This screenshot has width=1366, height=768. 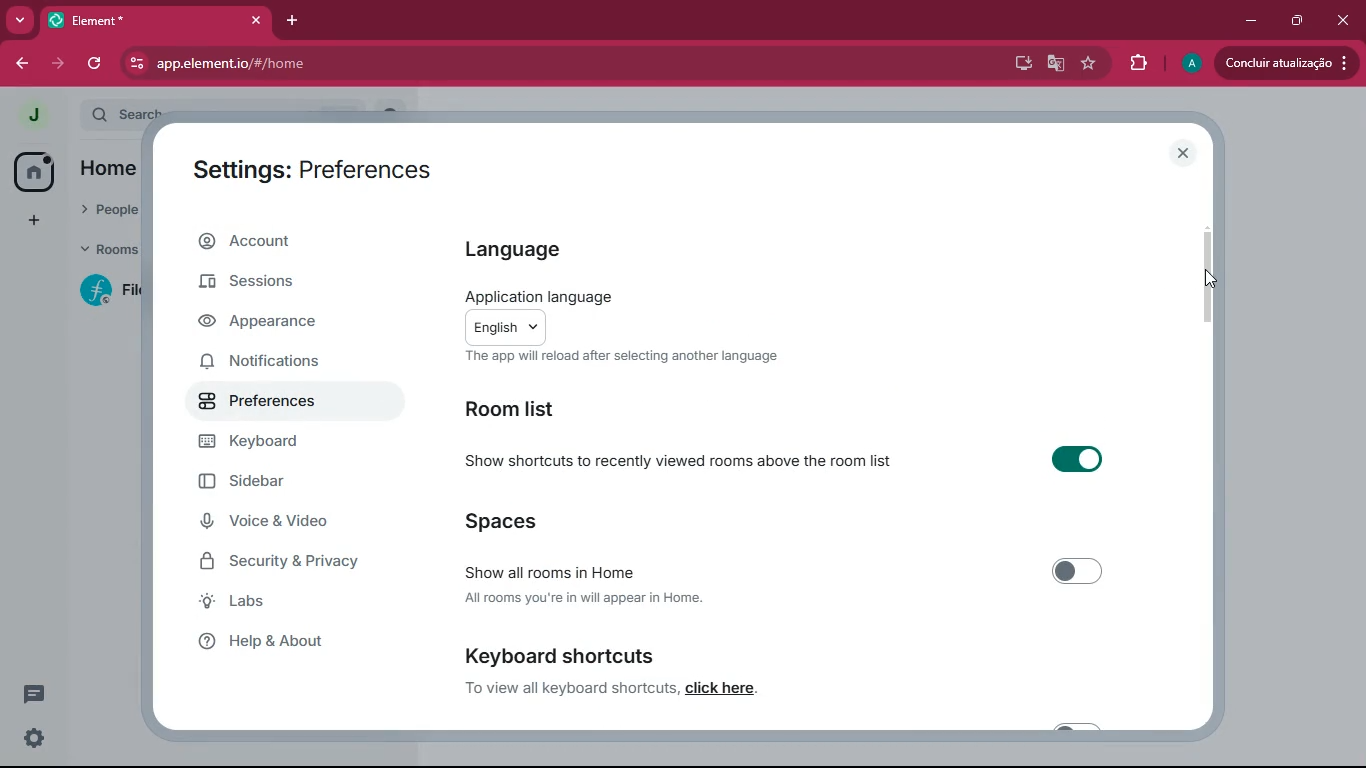 I want to click on close, so click(x=1184, y=153).